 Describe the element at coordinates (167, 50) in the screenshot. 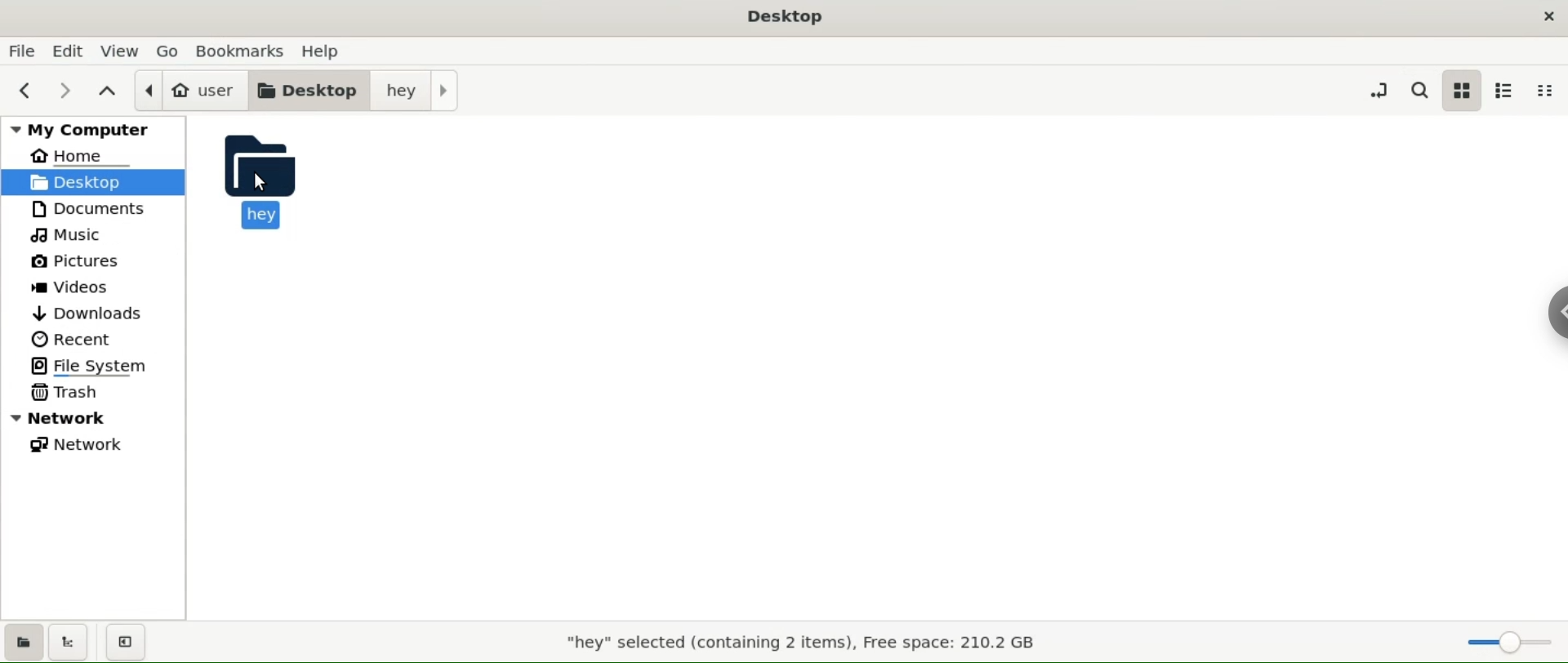

I see `go` at that location.